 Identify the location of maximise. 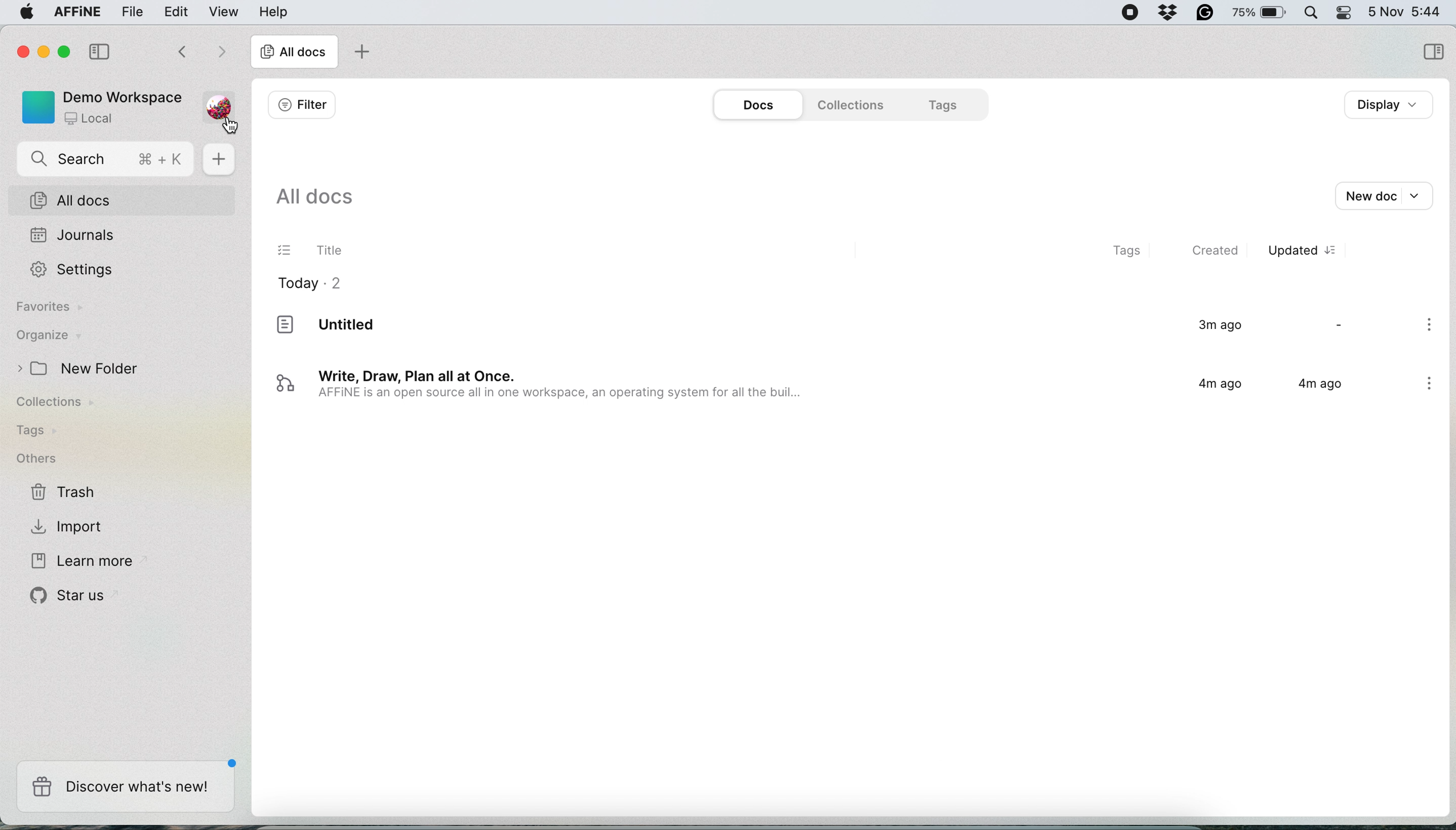
(68, 51).